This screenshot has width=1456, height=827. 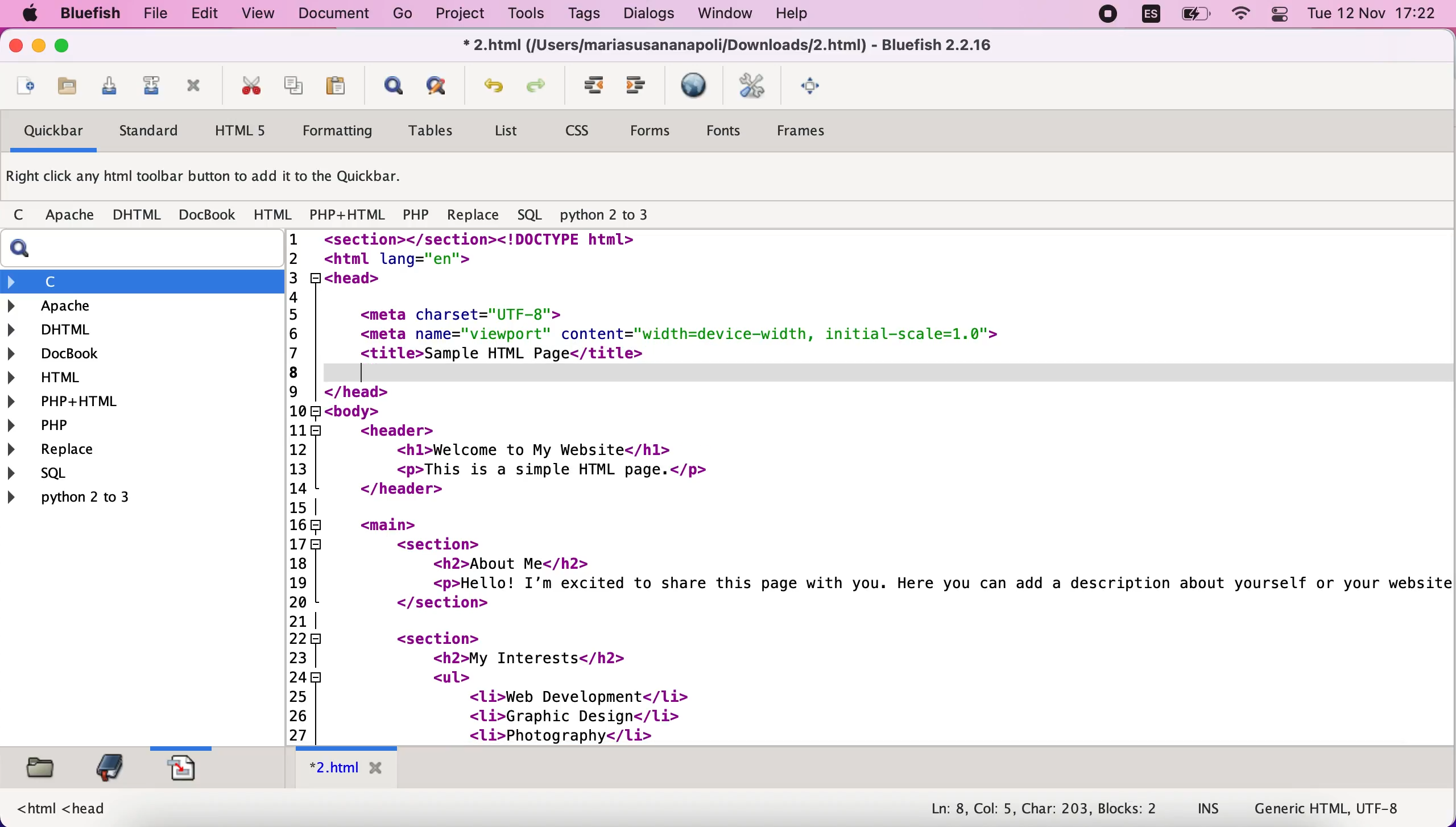 I want to click on control centre, so click(x=1279, y=16).